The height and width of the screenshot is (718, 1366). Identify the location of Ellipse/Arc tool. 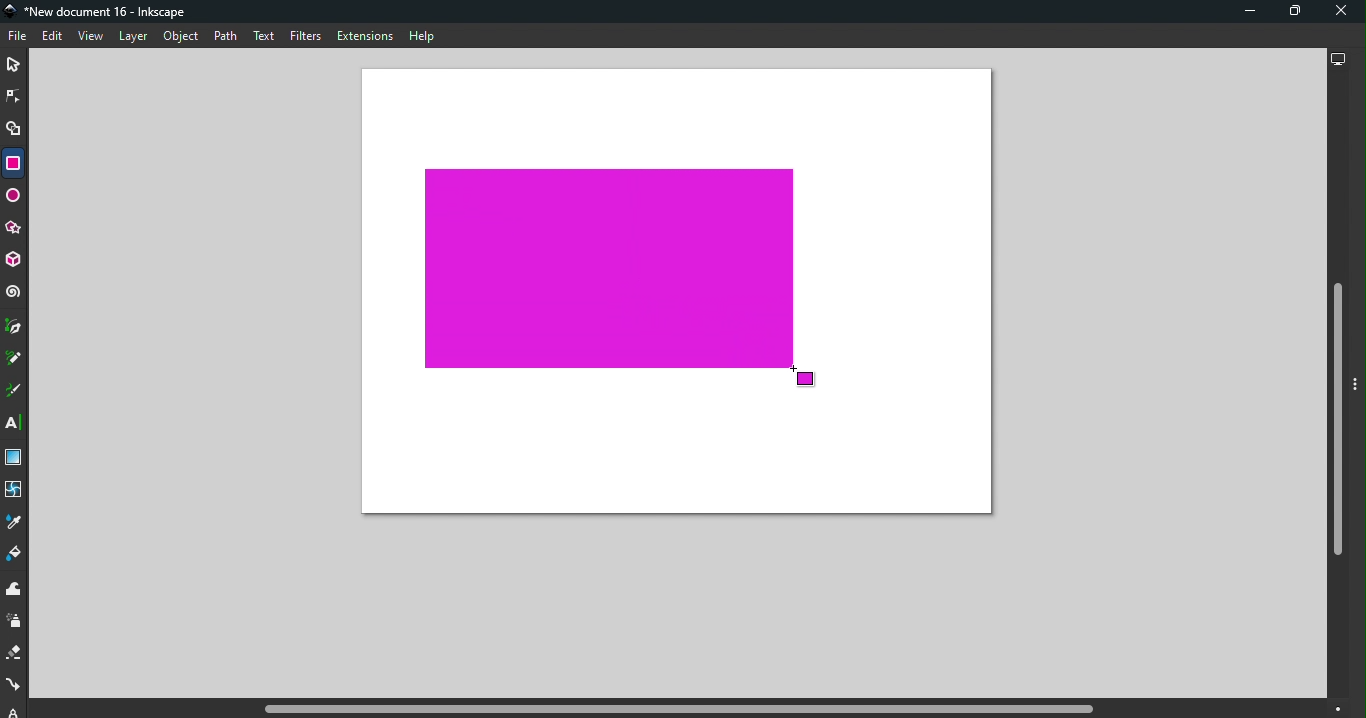
(14, 198).